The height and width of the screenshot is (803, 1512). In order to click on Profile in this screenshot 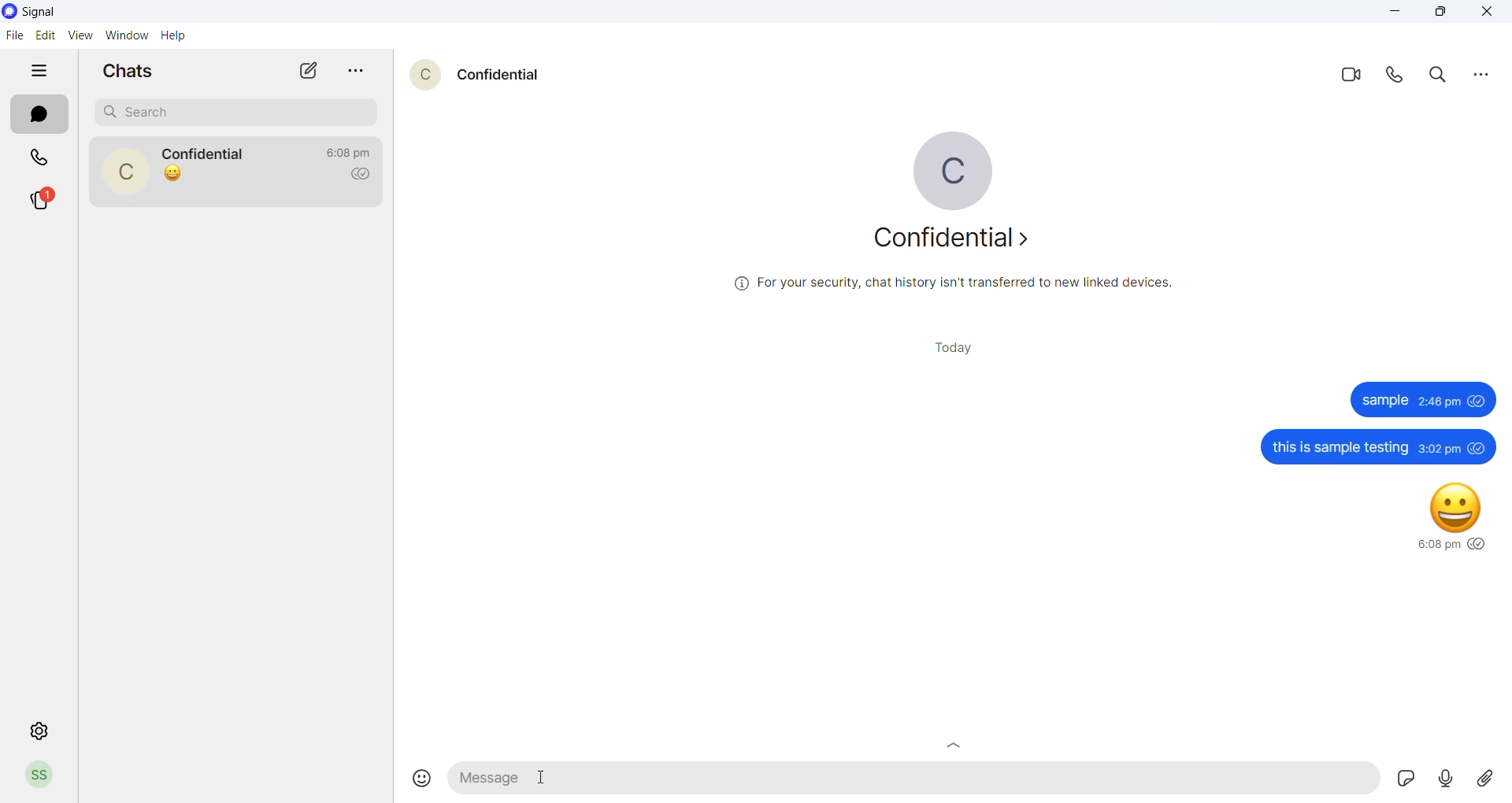, I will do `click(41, 775)`.